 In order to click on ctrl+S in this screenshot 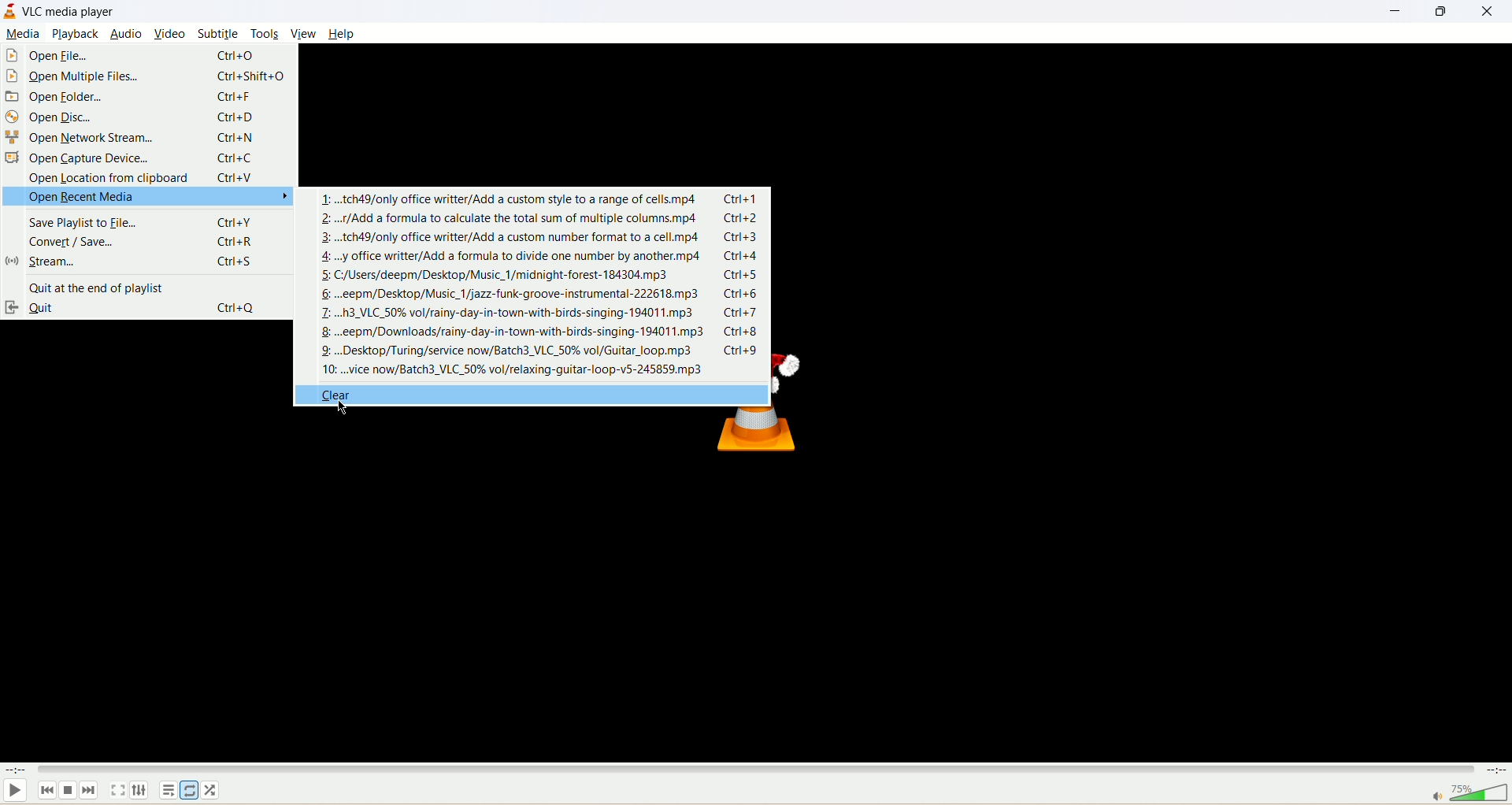, I will do `click(235, 262)`.